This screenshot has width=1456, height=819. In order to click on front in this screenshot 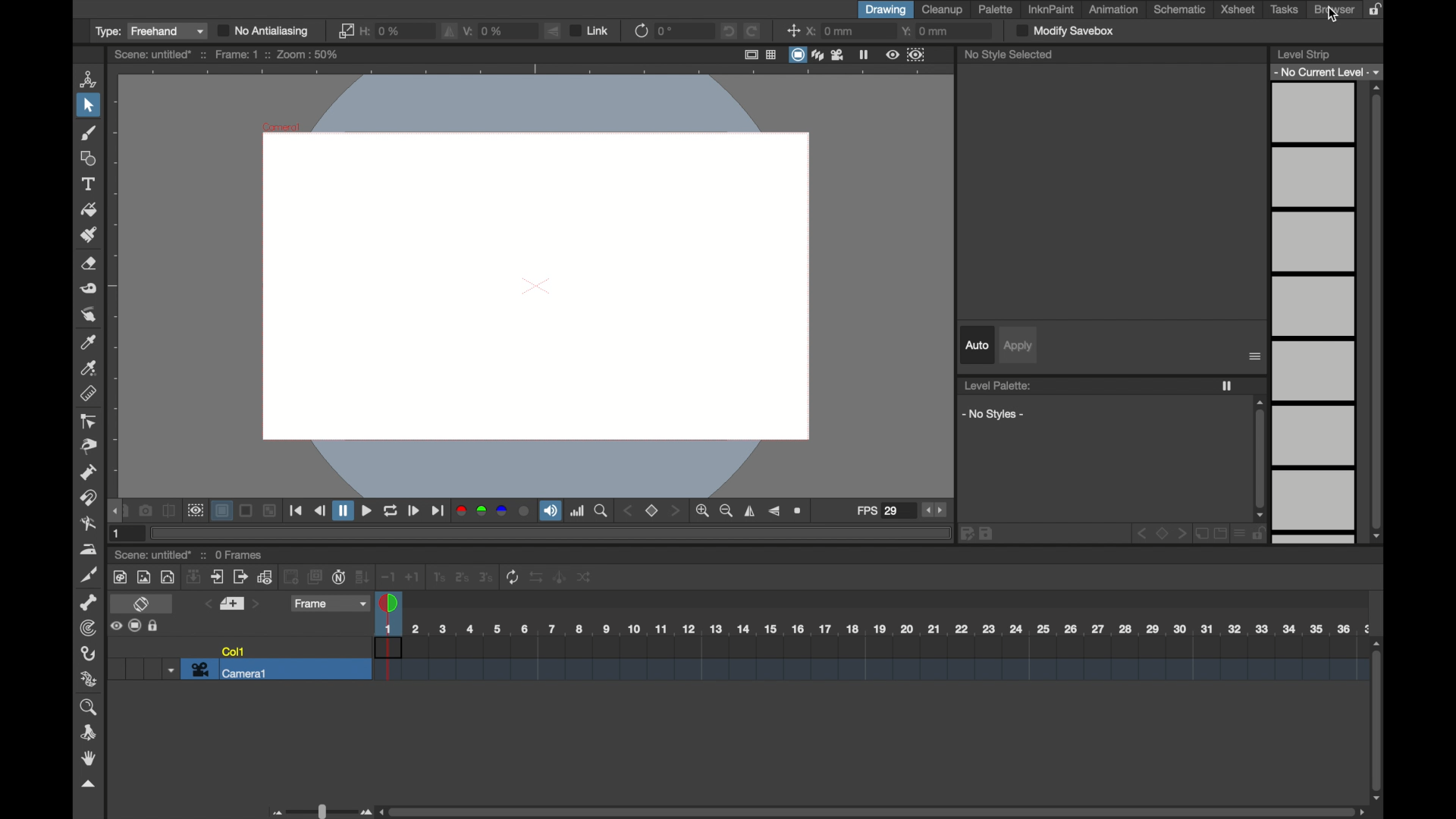, I will do `click(1182, 532)`.